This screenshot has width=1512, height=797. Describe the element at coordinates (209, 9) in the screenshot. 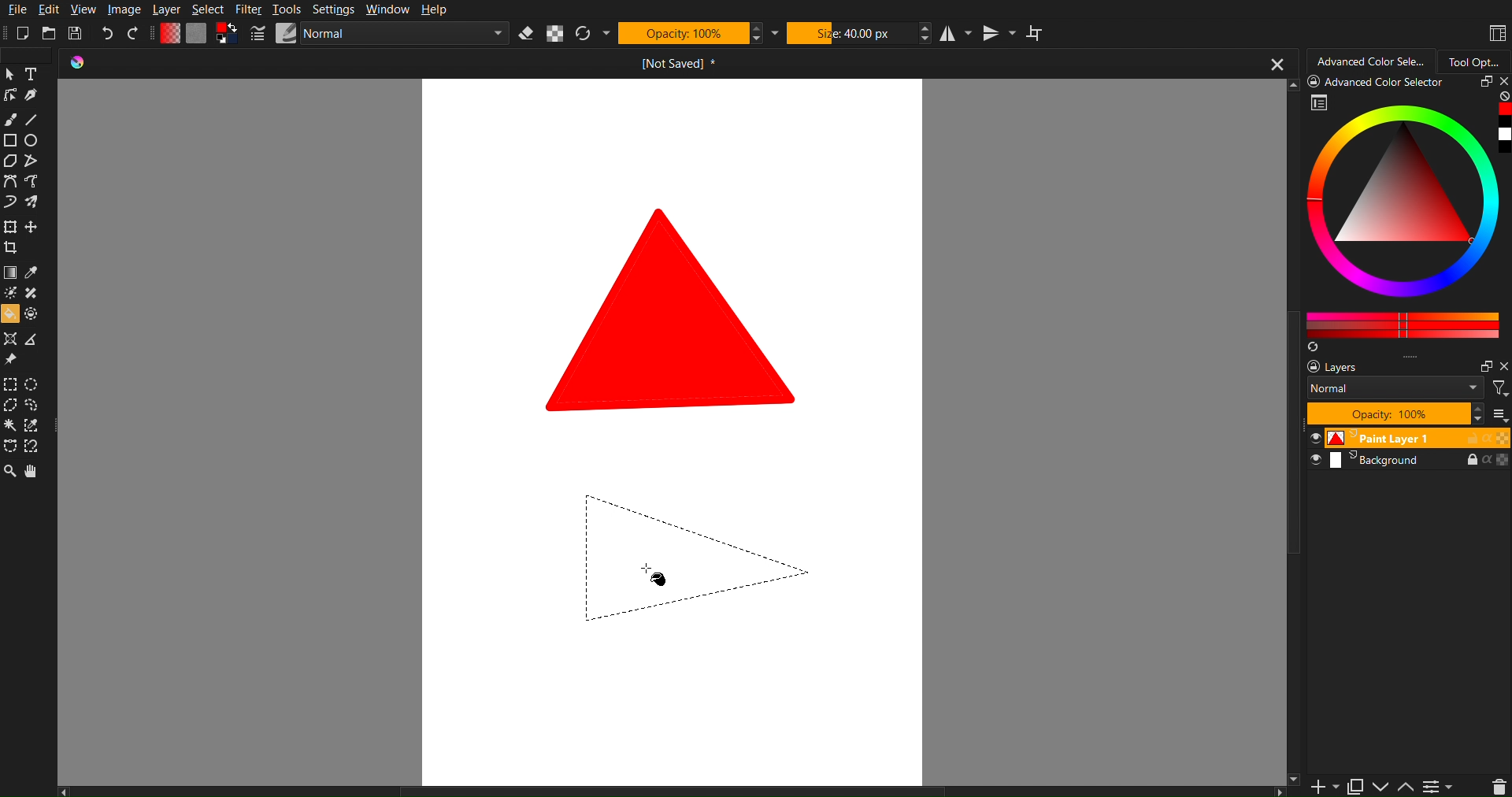

I see `Select` at that location.